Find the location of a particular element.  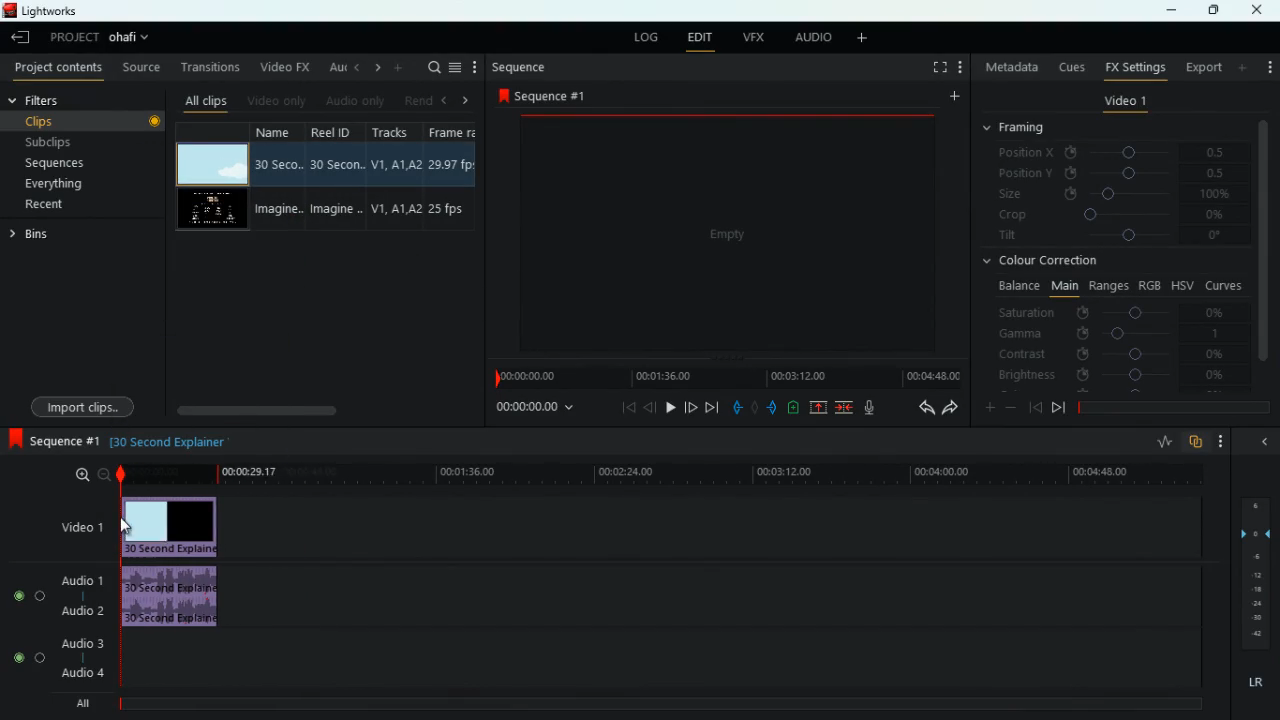

audio 3 is located at coordinates (77, 642).